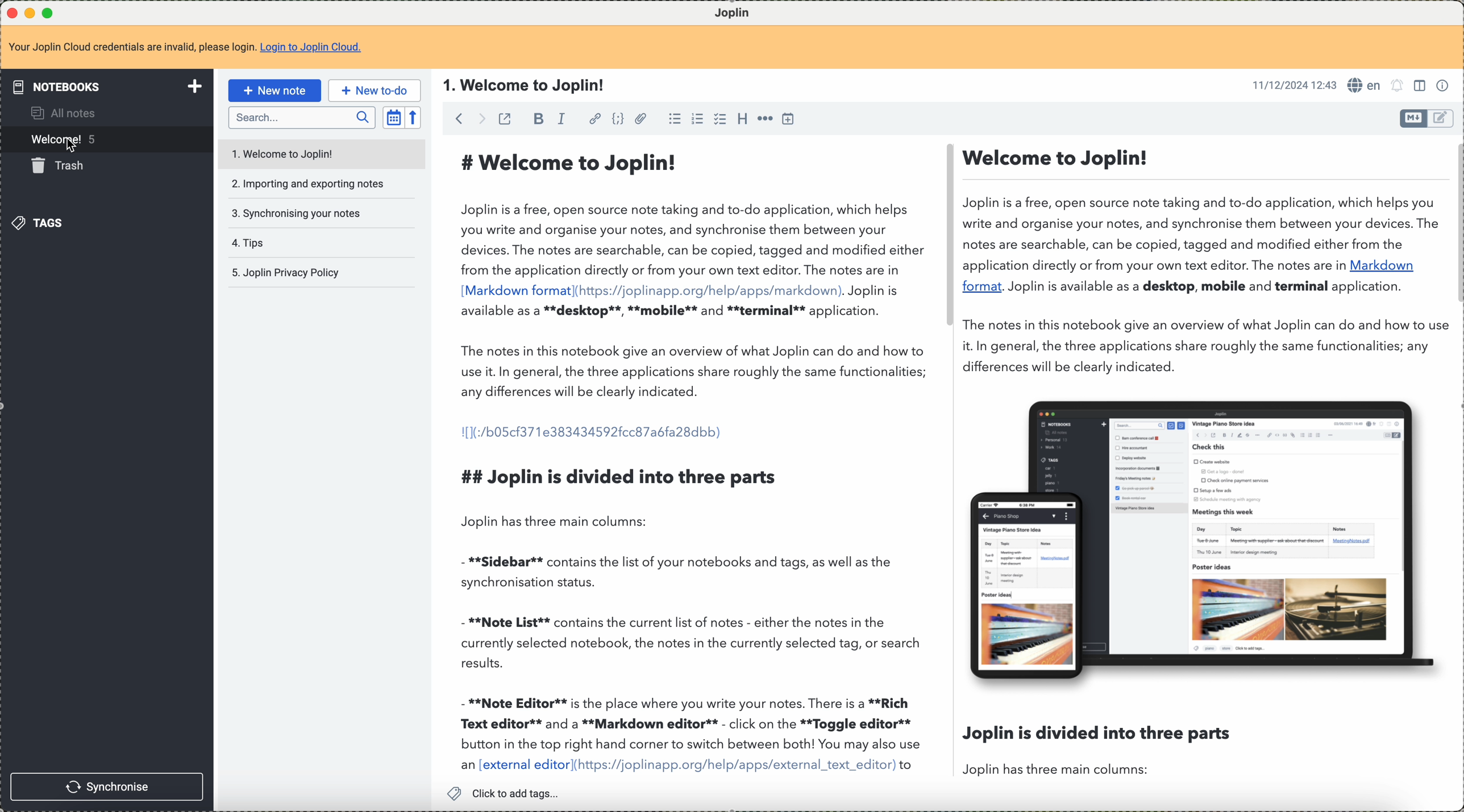 This screenshot has width=1464, height=812. What do you see at coordinates (1204, 538) in the screenshot?
I see `Joplin Mobile and Tab Experience` at bounding box center [1204, 538].